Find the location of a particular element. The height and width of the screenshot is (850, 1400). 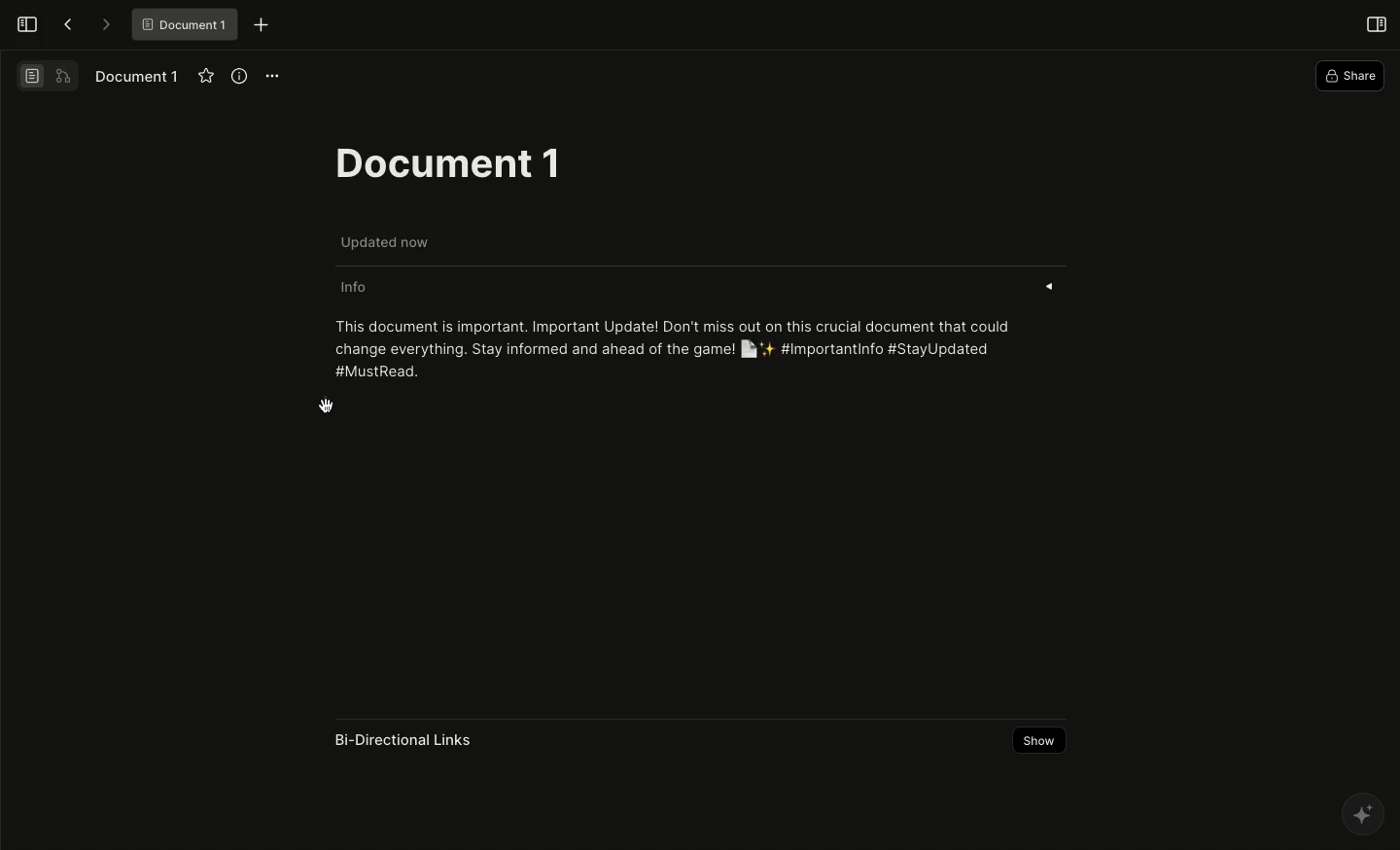

Open sidebar is located at coordinates (27, 25).